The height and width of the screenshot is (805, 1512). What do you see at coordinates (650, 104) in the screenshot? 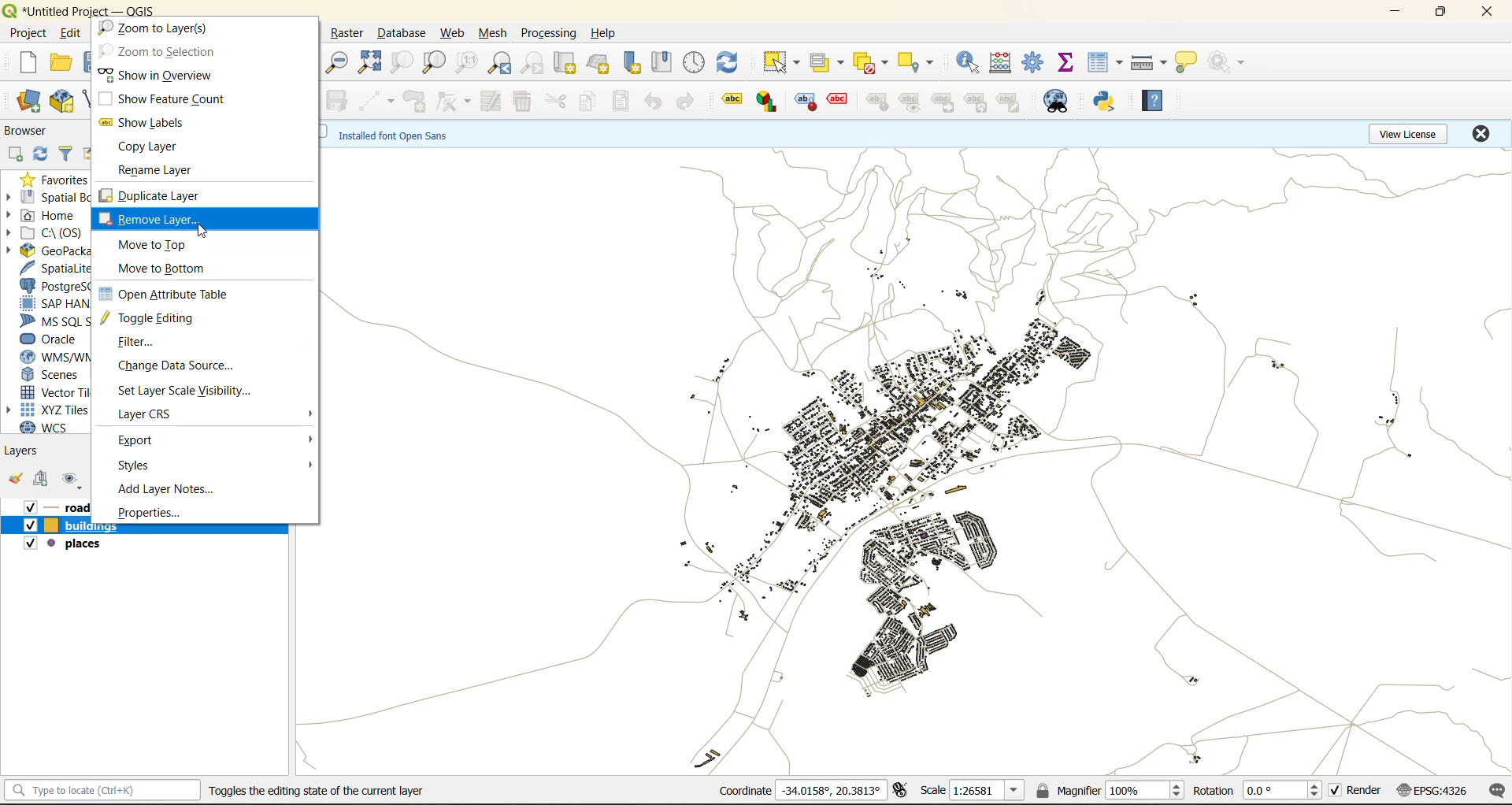
I see `undo` at bounding box center [650, 104].